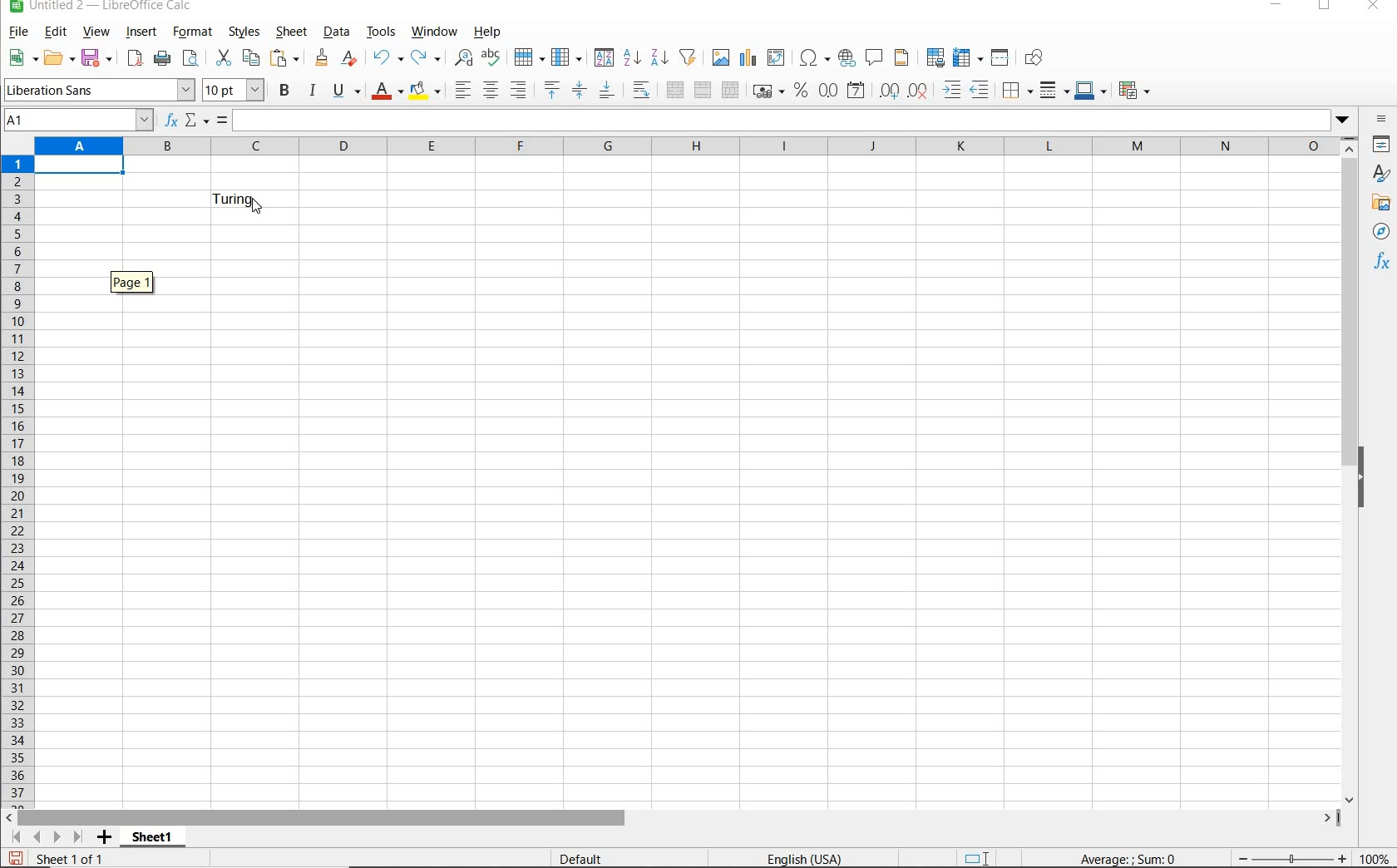 The image size is (1397, 868). I want to click on HELP, so click(490, 32).